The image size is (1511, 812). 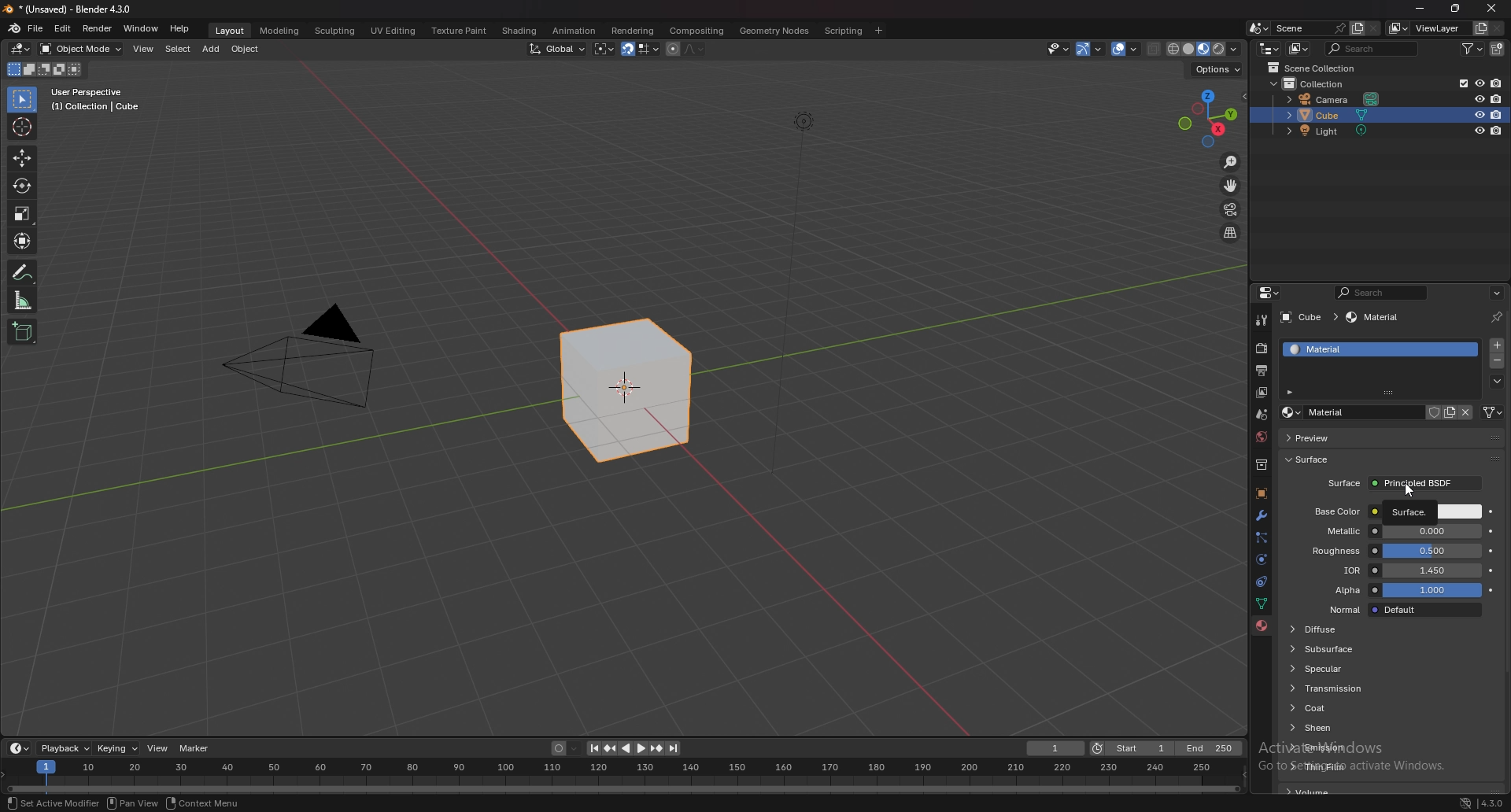 What do you see at coordinates (1262, 626) in the screenshot?
I see `material` at bounding box center [1262, 626].